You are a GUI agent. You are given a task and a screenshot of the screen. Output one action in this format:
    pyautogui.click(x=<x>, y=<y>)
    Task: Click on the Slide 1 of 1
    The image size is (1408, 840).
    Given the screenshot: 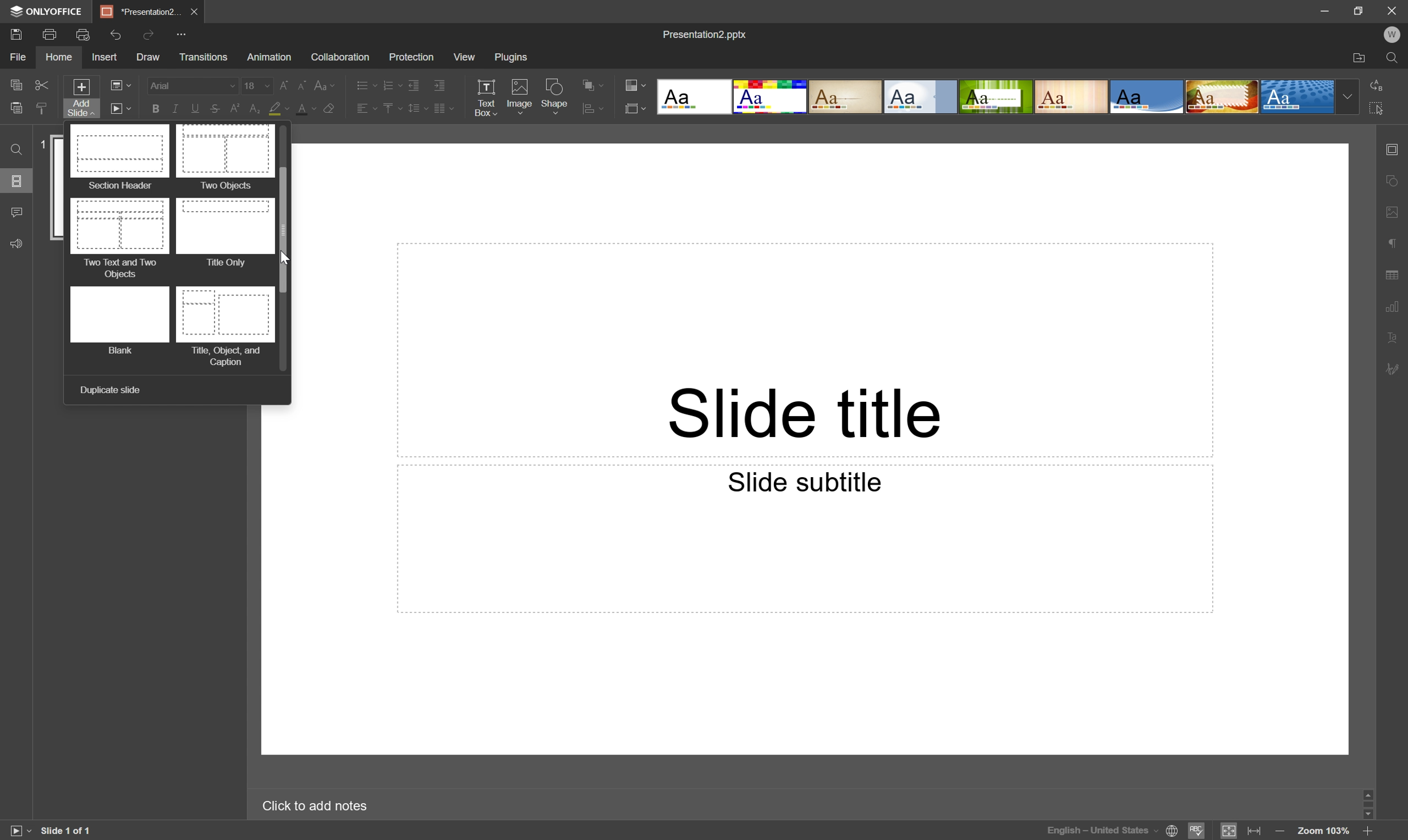 What is the action you would take?
    pyautogui.click(x=67, y=829)
    